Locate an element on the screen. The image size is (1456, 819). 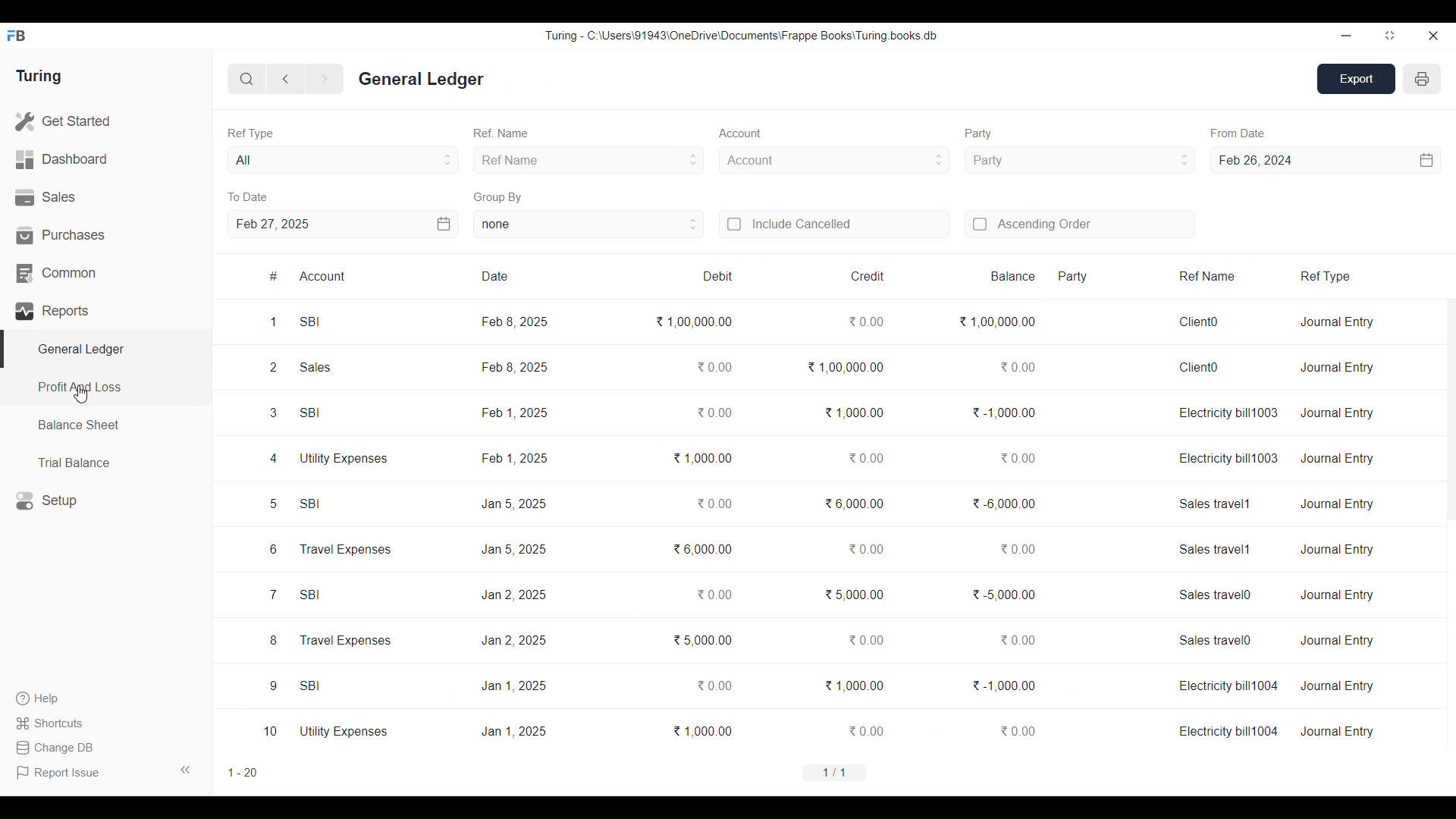
0.00 is located at coordinates (714, 595).